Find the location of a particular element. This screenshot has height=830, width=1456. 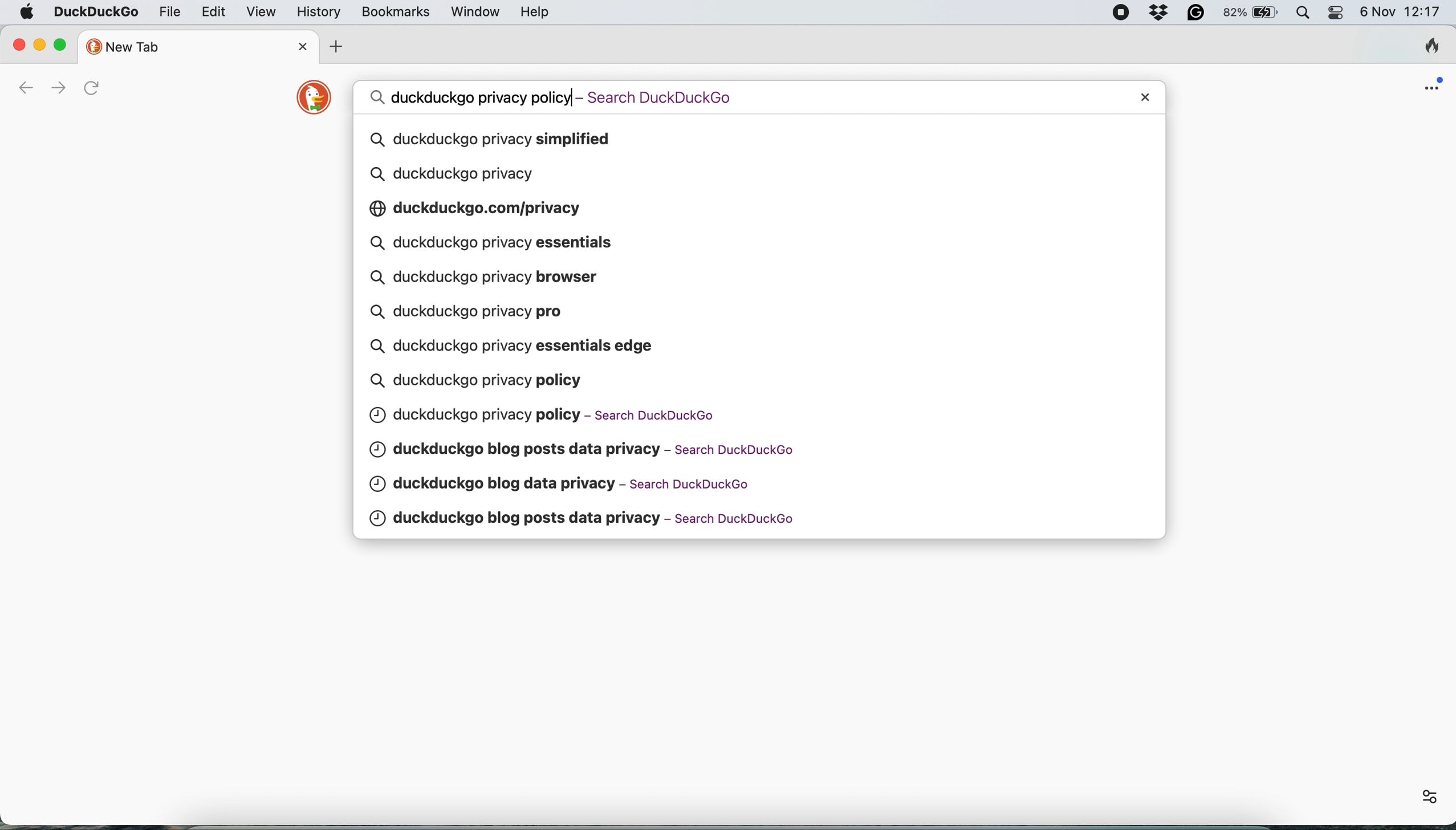

more options is located at coordinates (1421, 792).